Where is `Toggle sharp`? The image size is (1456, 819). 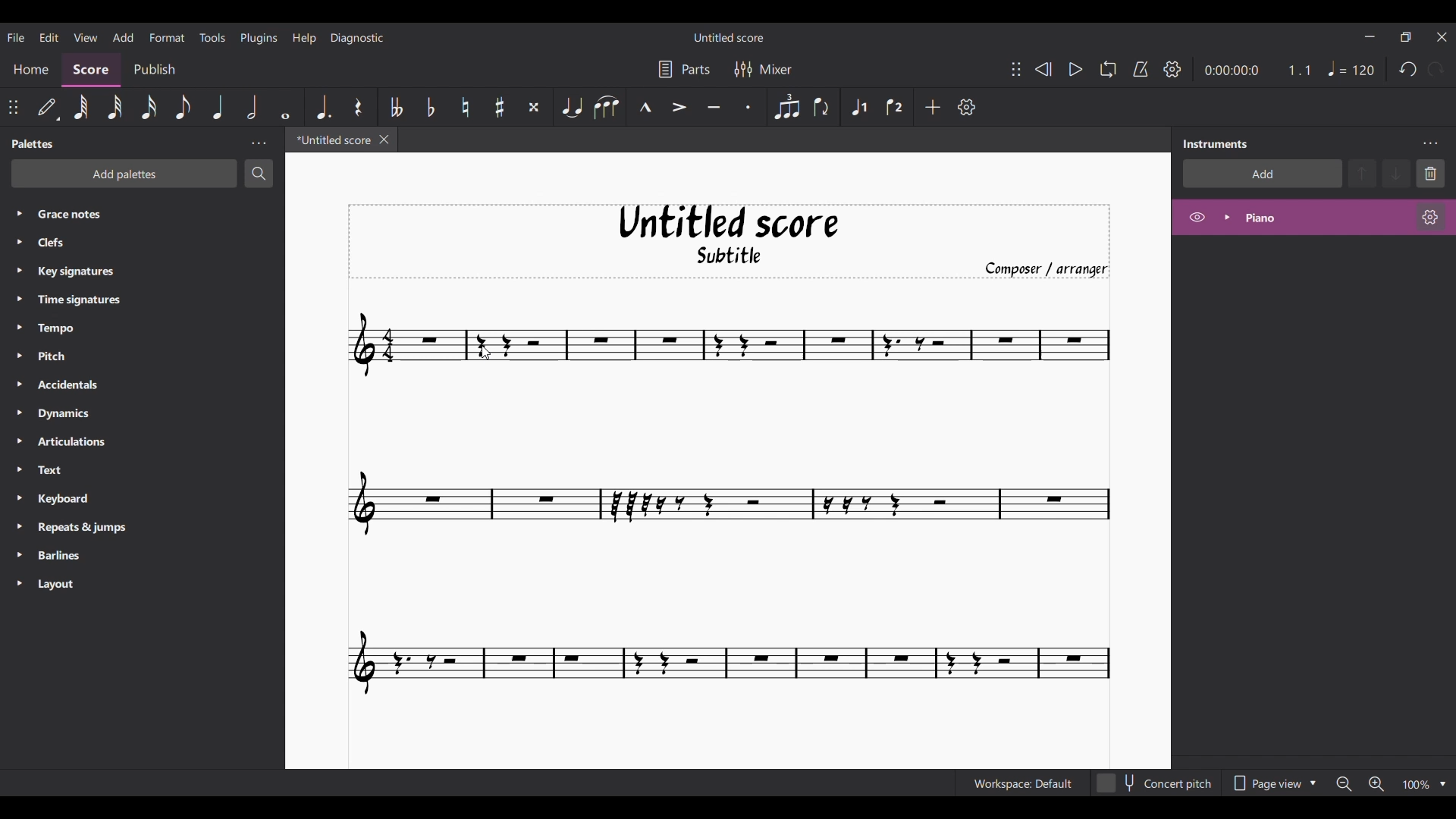 Toggle sharp is located at coordinates (500, 107).